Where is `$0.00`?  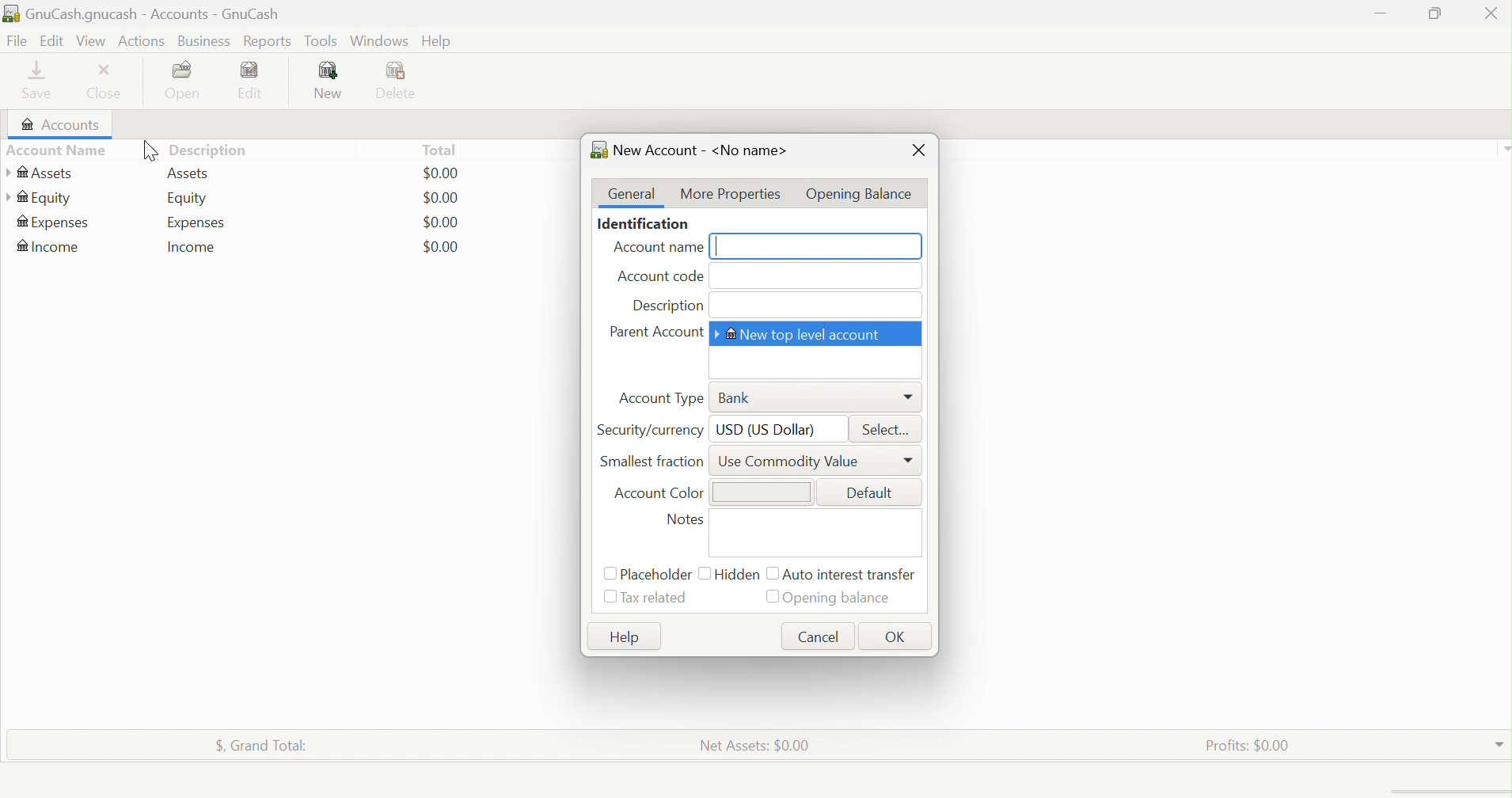
$0.00 is located at coordinates (441, 173).